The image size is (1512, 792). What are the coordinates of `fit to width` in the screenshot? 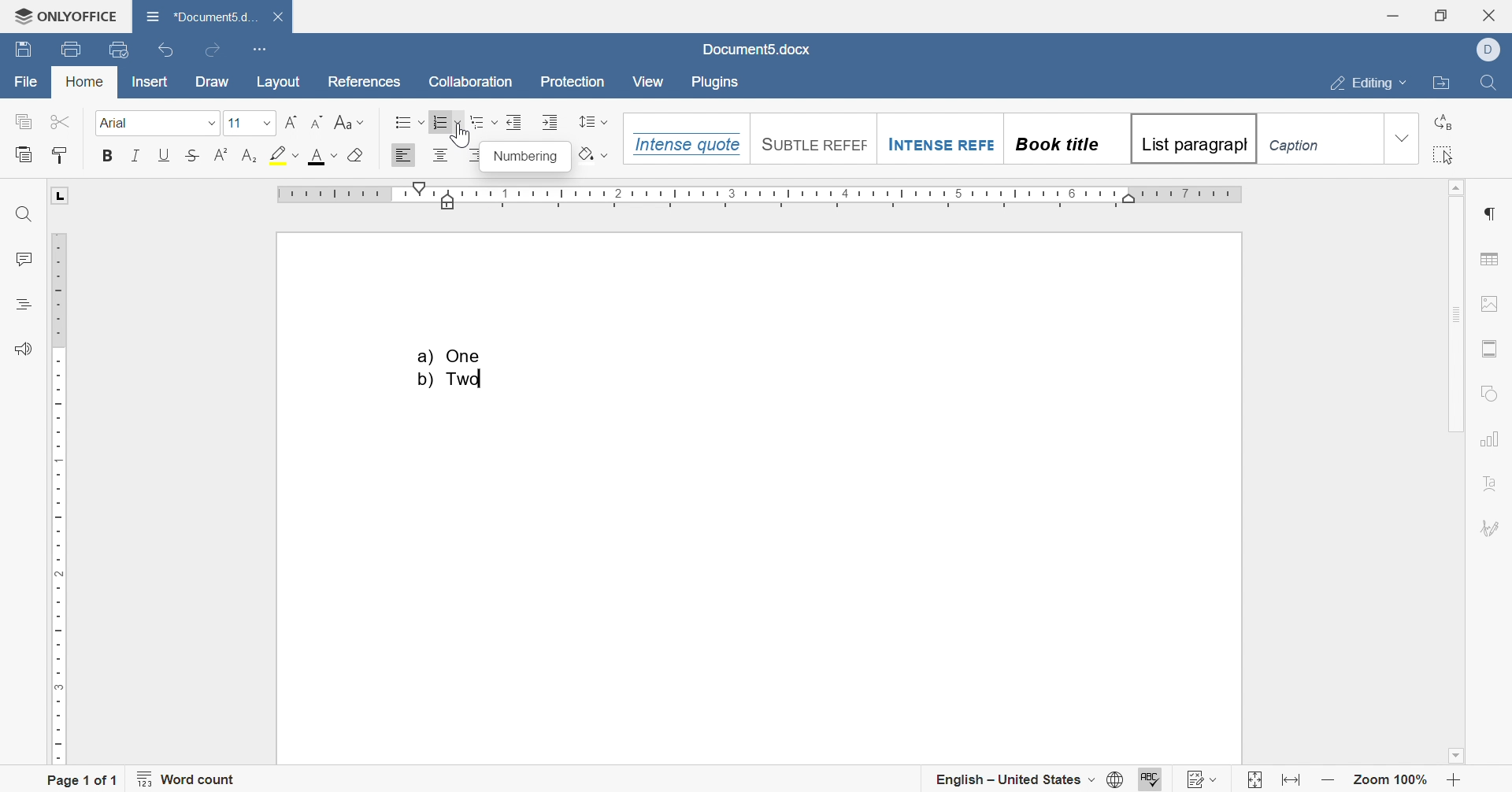 It's located at (1294, 781).